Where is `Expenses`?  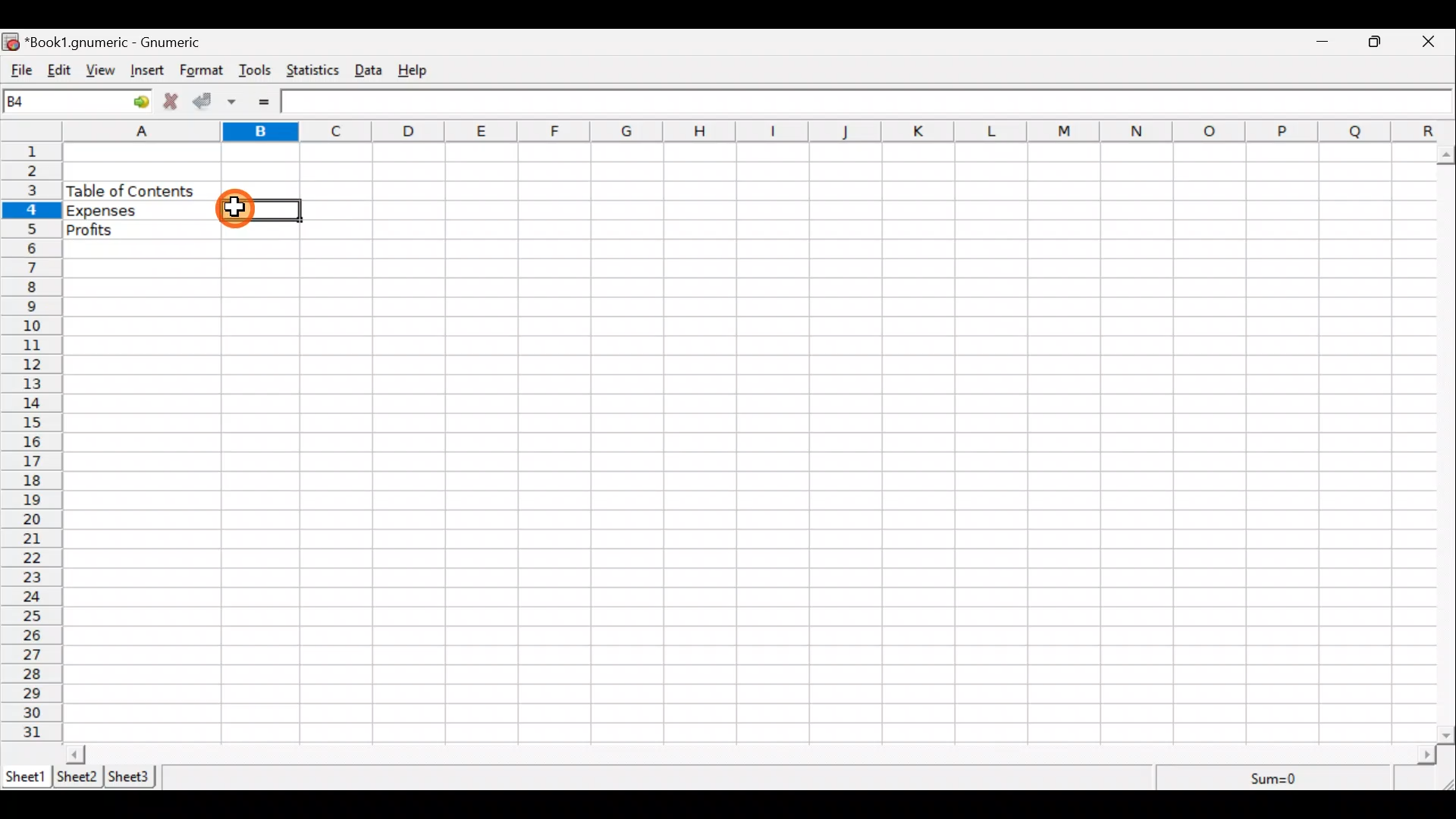 Expenses is located at coordinates (137, 212).